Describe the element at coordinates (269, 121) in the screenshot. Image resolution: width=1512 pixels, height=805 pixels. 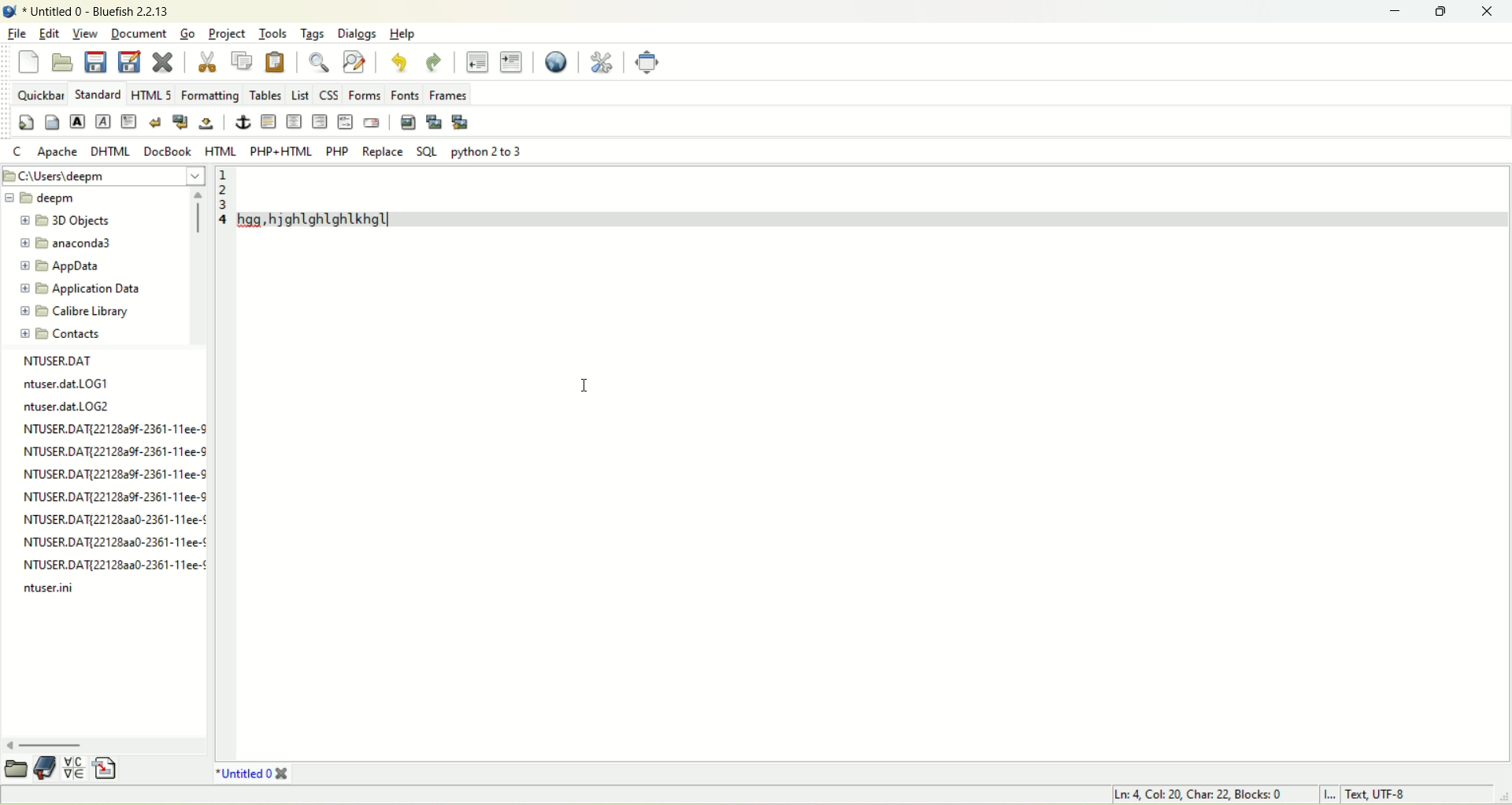
I see `horizontal rule` at that location.